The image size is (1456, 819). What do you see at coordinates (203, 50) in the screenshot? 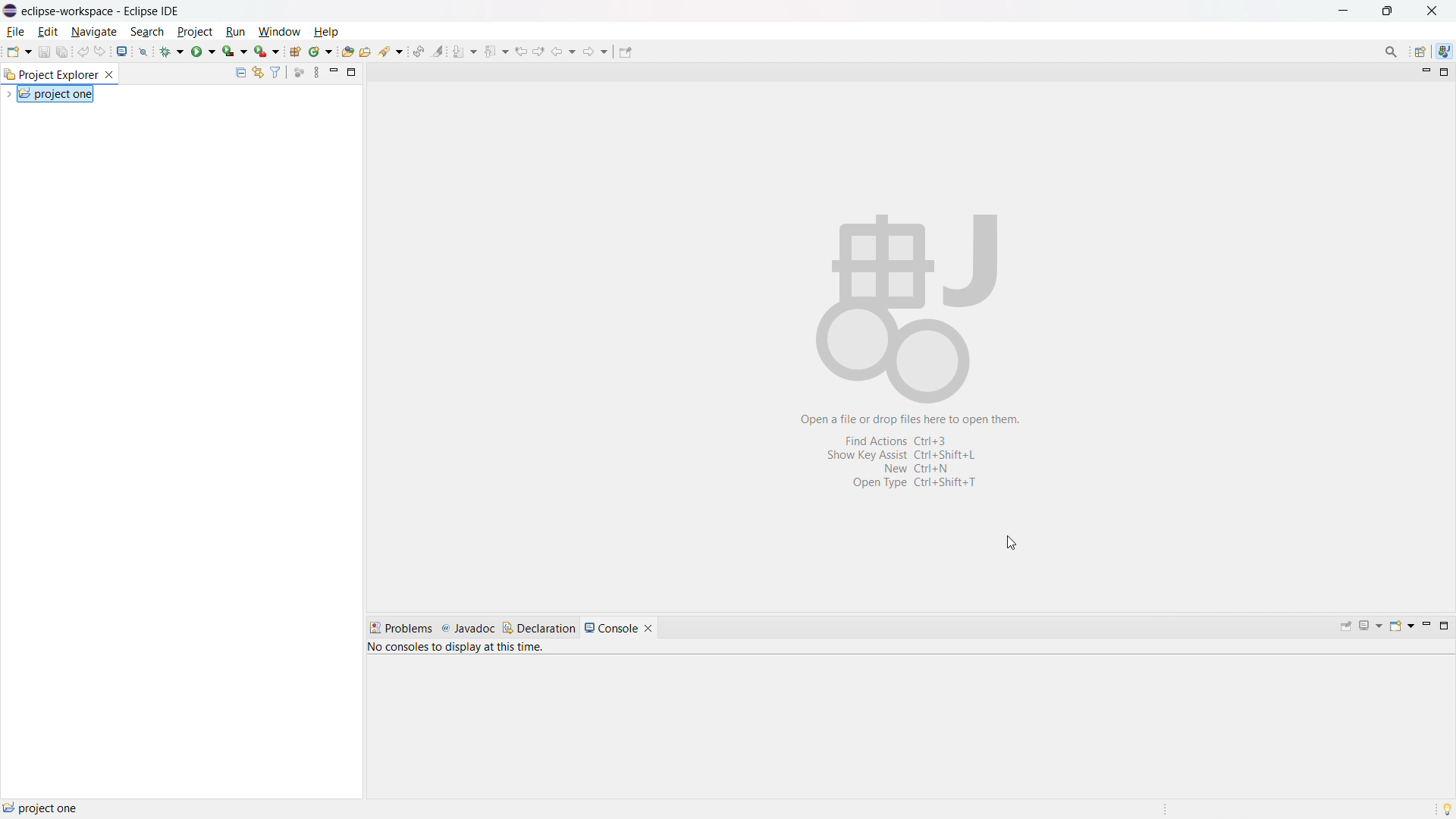
I see `run` at bounding box center [203, 50].